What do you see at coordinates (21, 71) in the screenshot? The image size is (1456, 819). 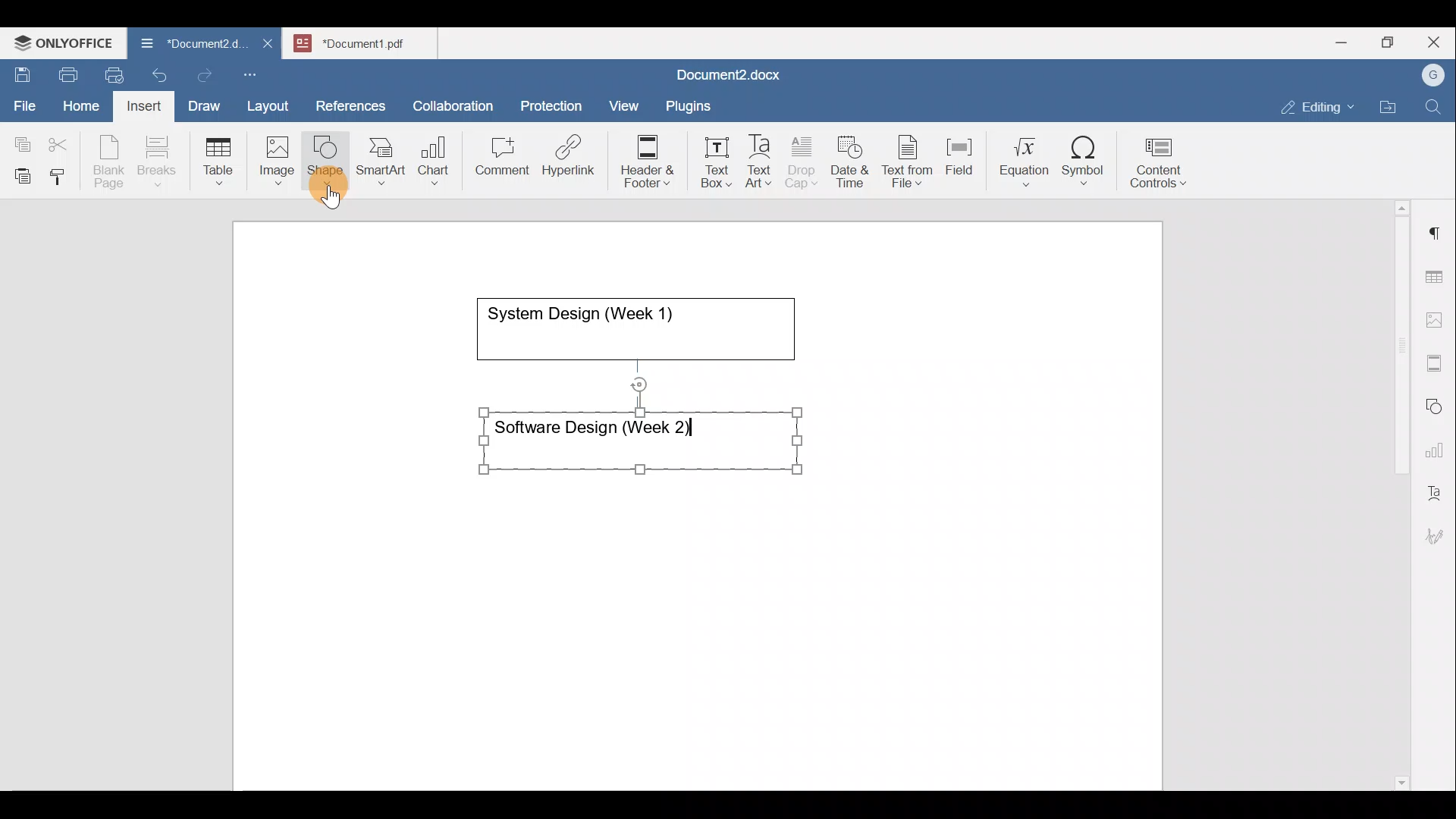 I see `Save` at bounding box center [21, 71].